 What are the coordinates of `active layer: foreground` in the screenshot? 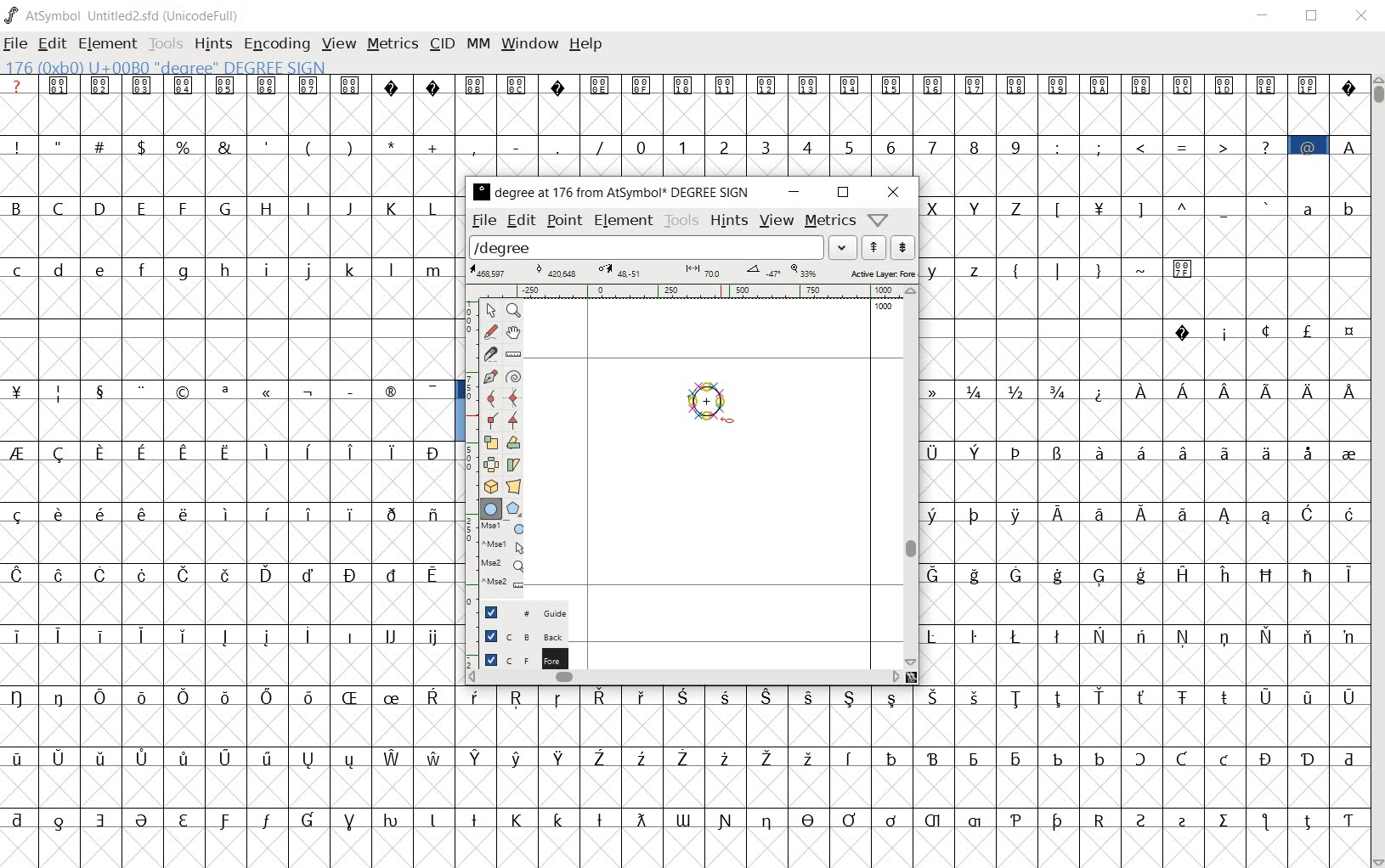 It's located at (692, 271).